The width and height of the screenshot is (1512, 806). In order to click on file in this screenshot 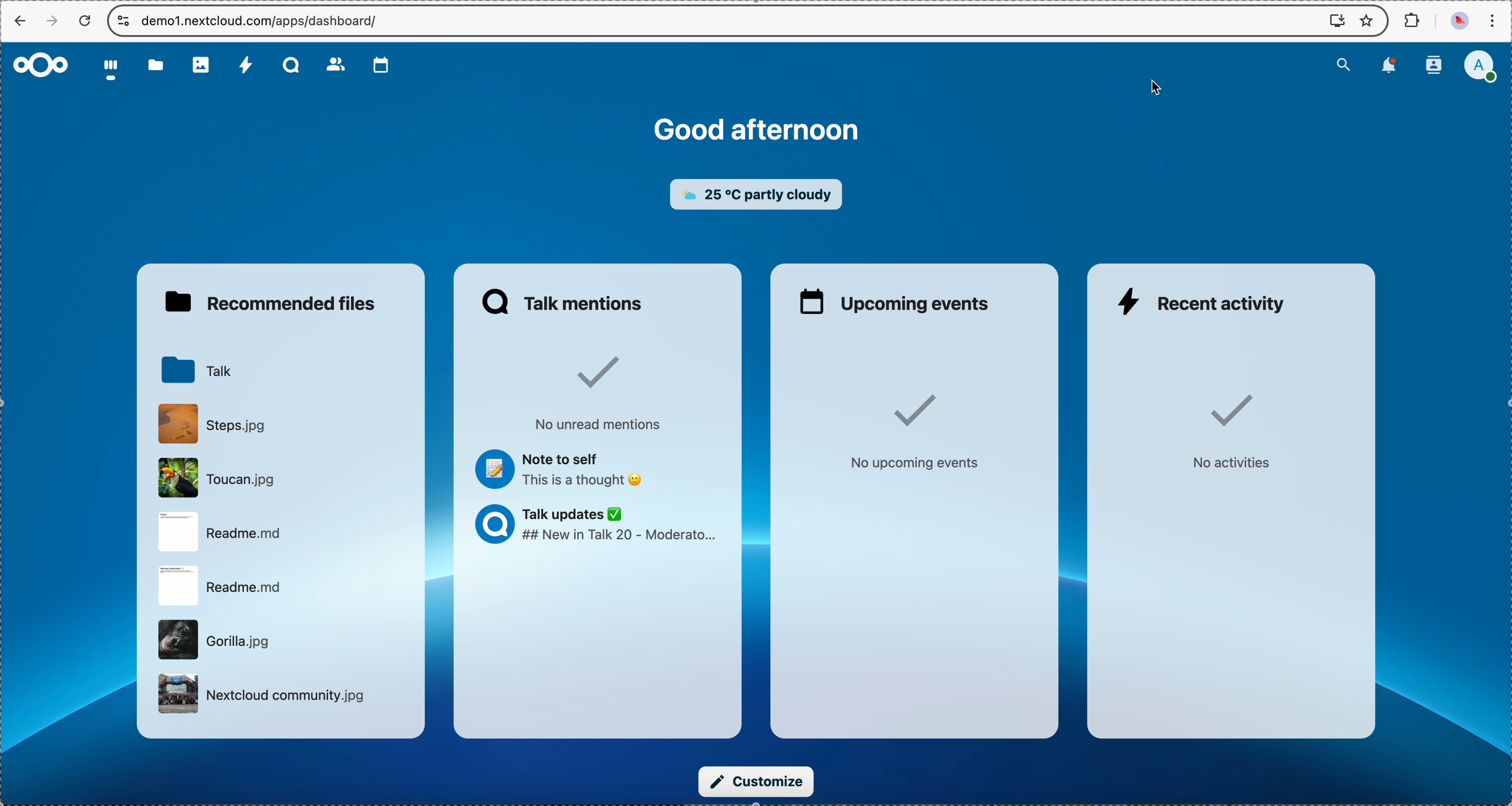, I will do `click(261, 694)`.